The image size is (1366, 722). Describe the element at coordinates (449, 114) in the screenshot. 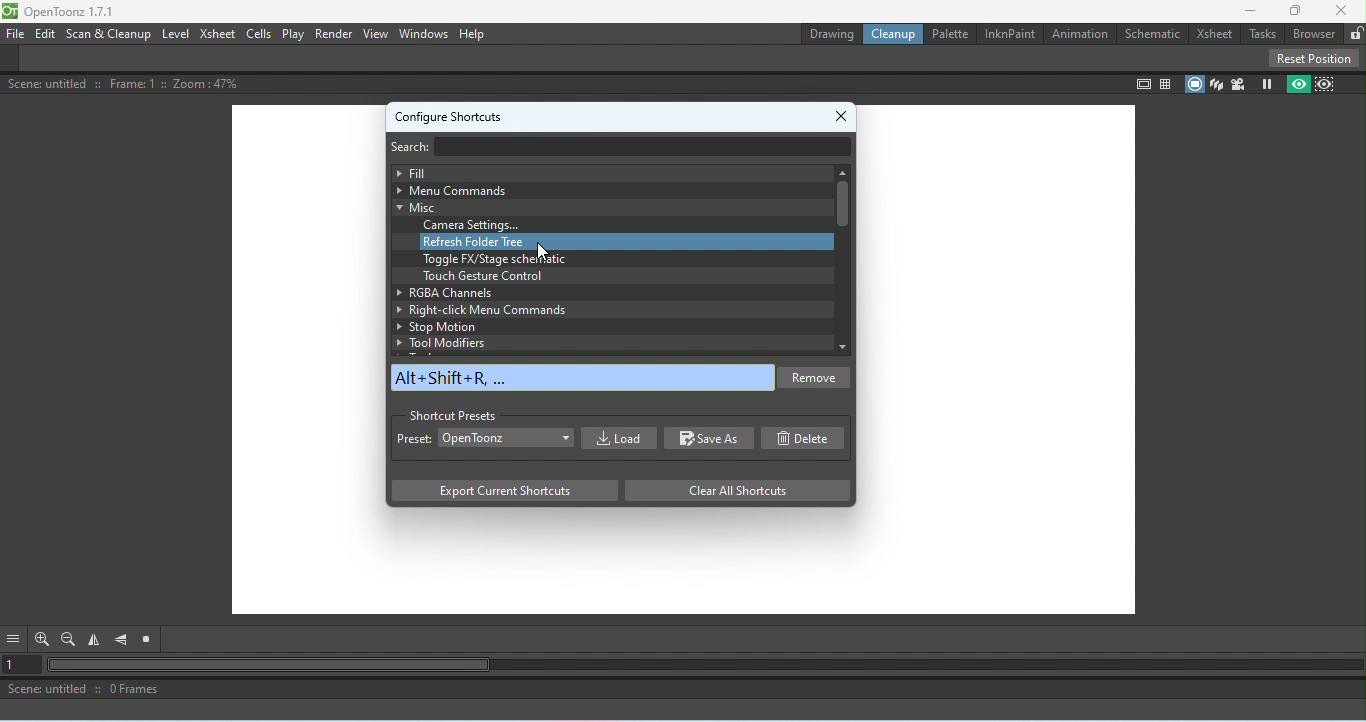

I see `Configure shortcuts` at that location.